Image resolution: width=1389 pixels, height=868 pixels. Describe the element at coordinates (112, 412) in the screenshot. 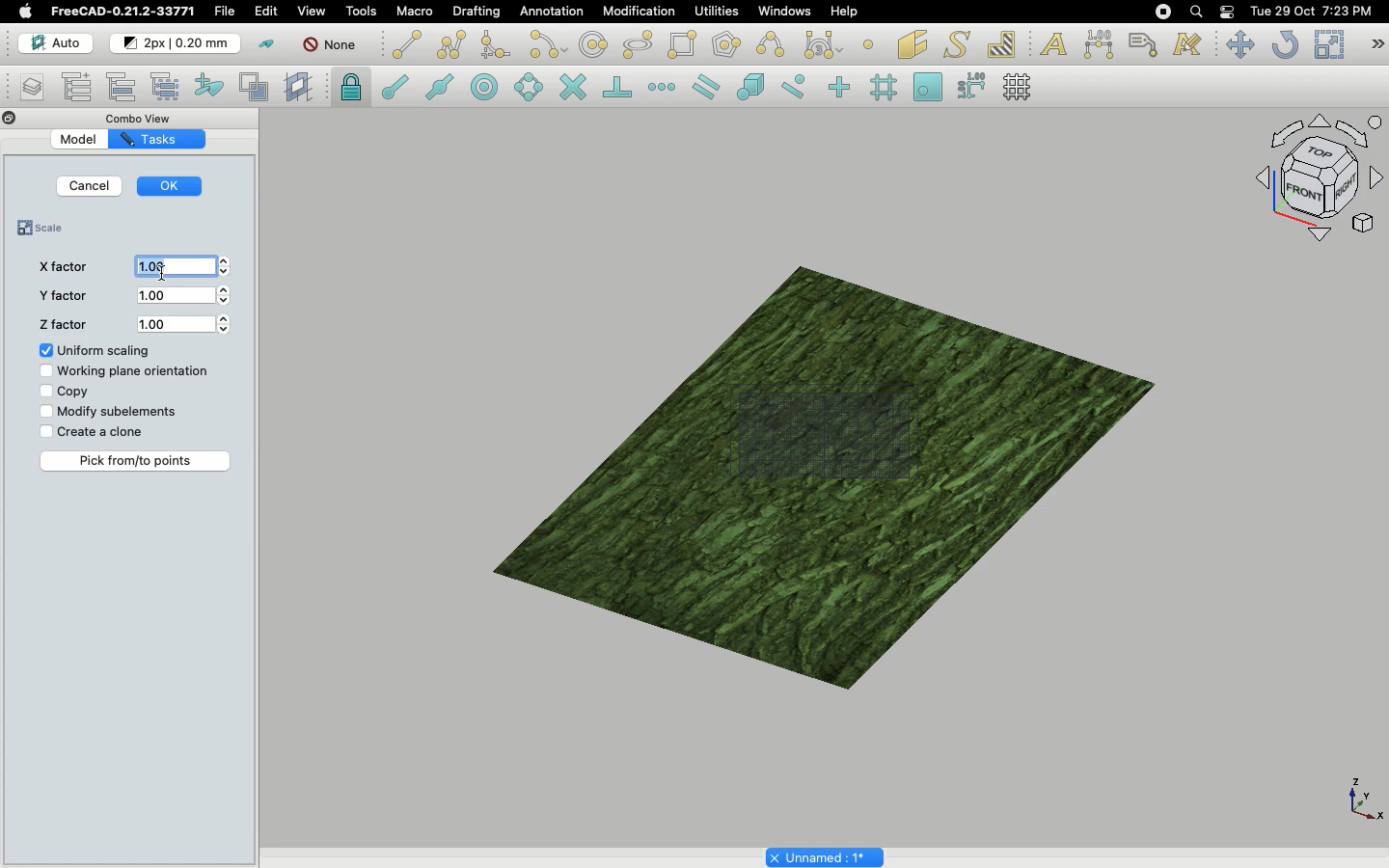

I see `Modify subelements` at that location.